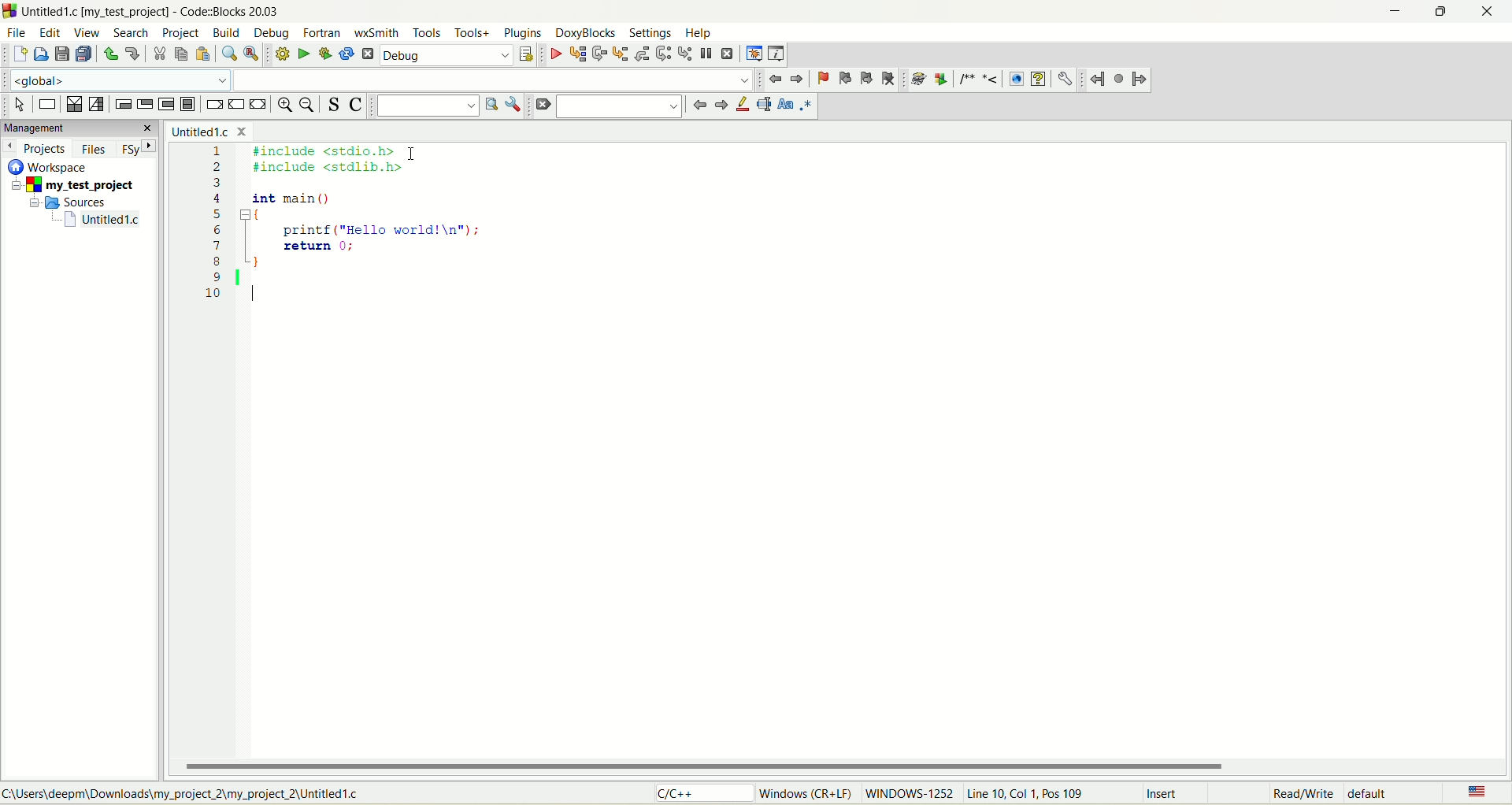 This screenshot has width=1512, height=805. Describe the element at coordinates (700, 32) in the screenshot. I see `help` at that location.